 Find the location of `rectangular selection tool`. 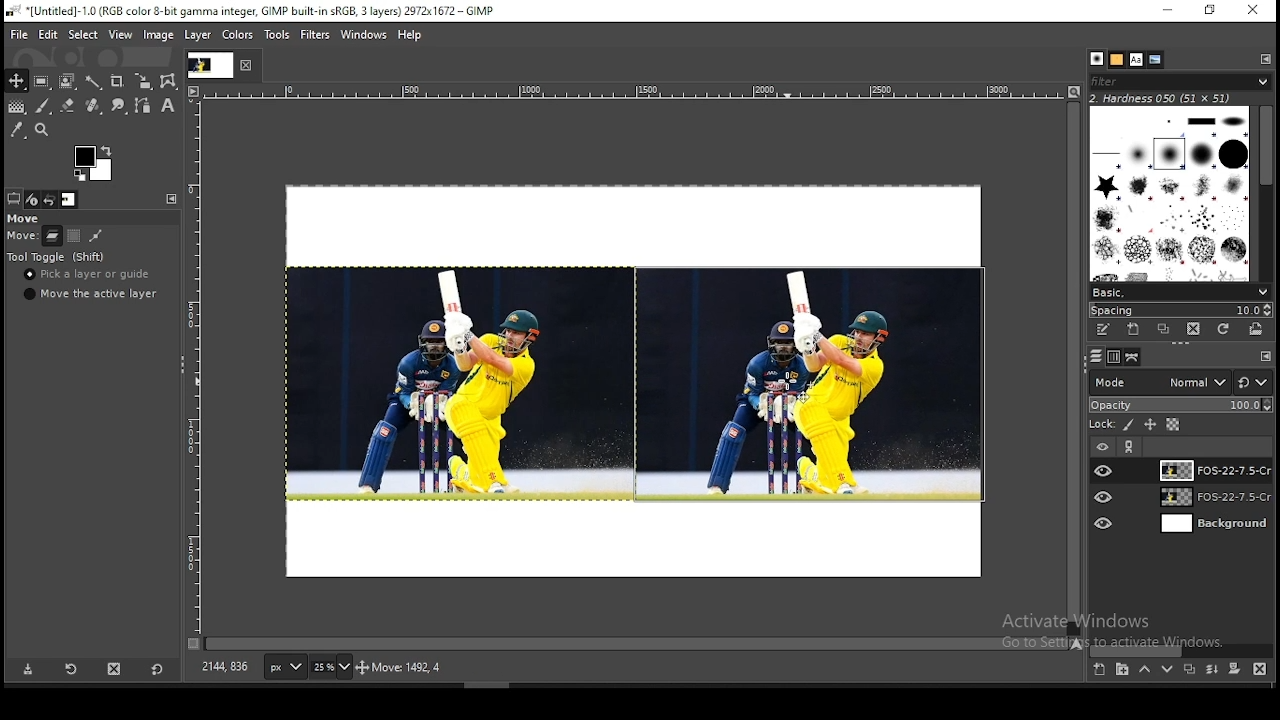

rectangular selection tool is located at coordinates (40, 81).